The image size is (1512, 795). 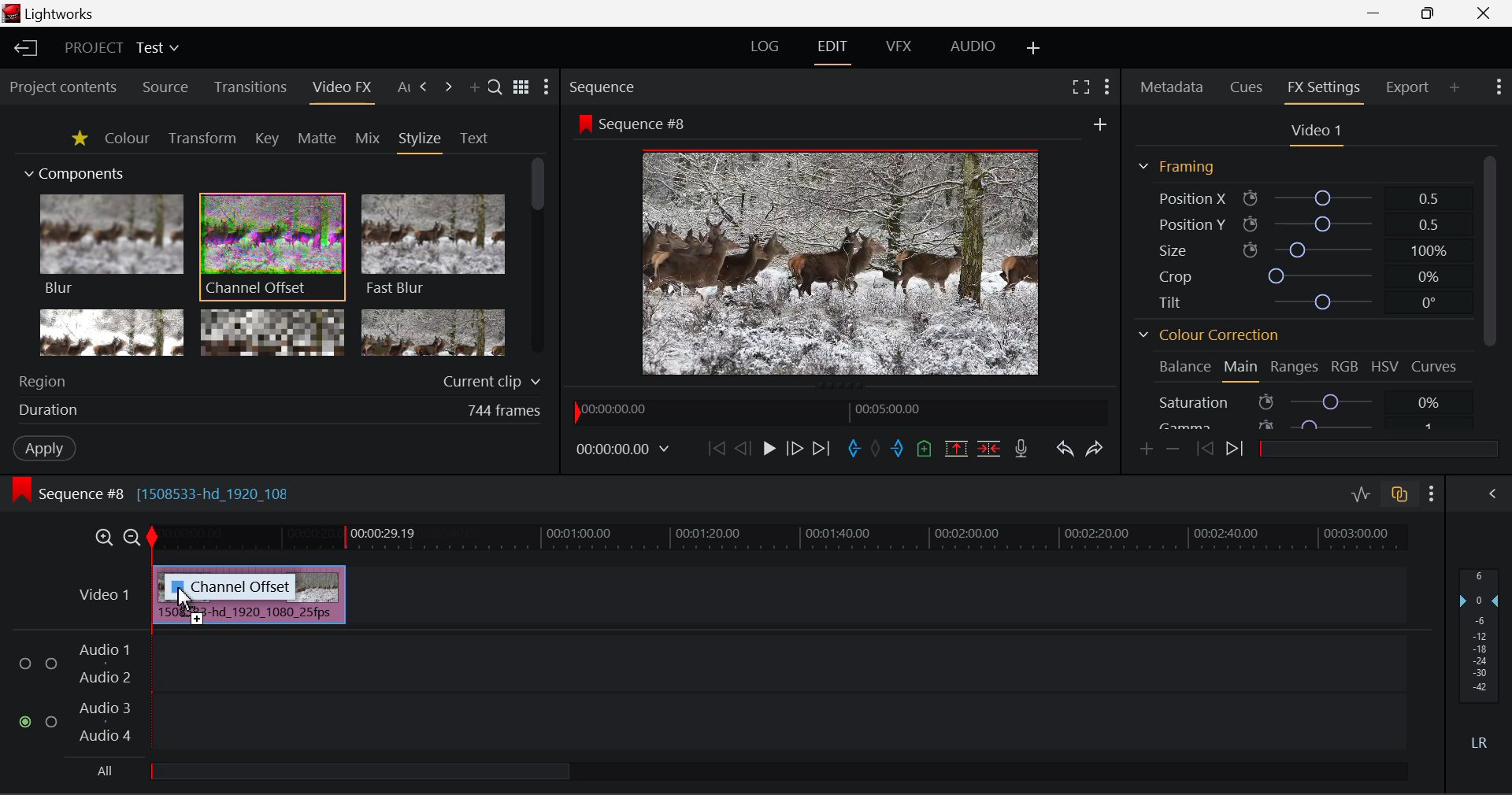 I want to click on Undo, so click(x=1067, y=451).